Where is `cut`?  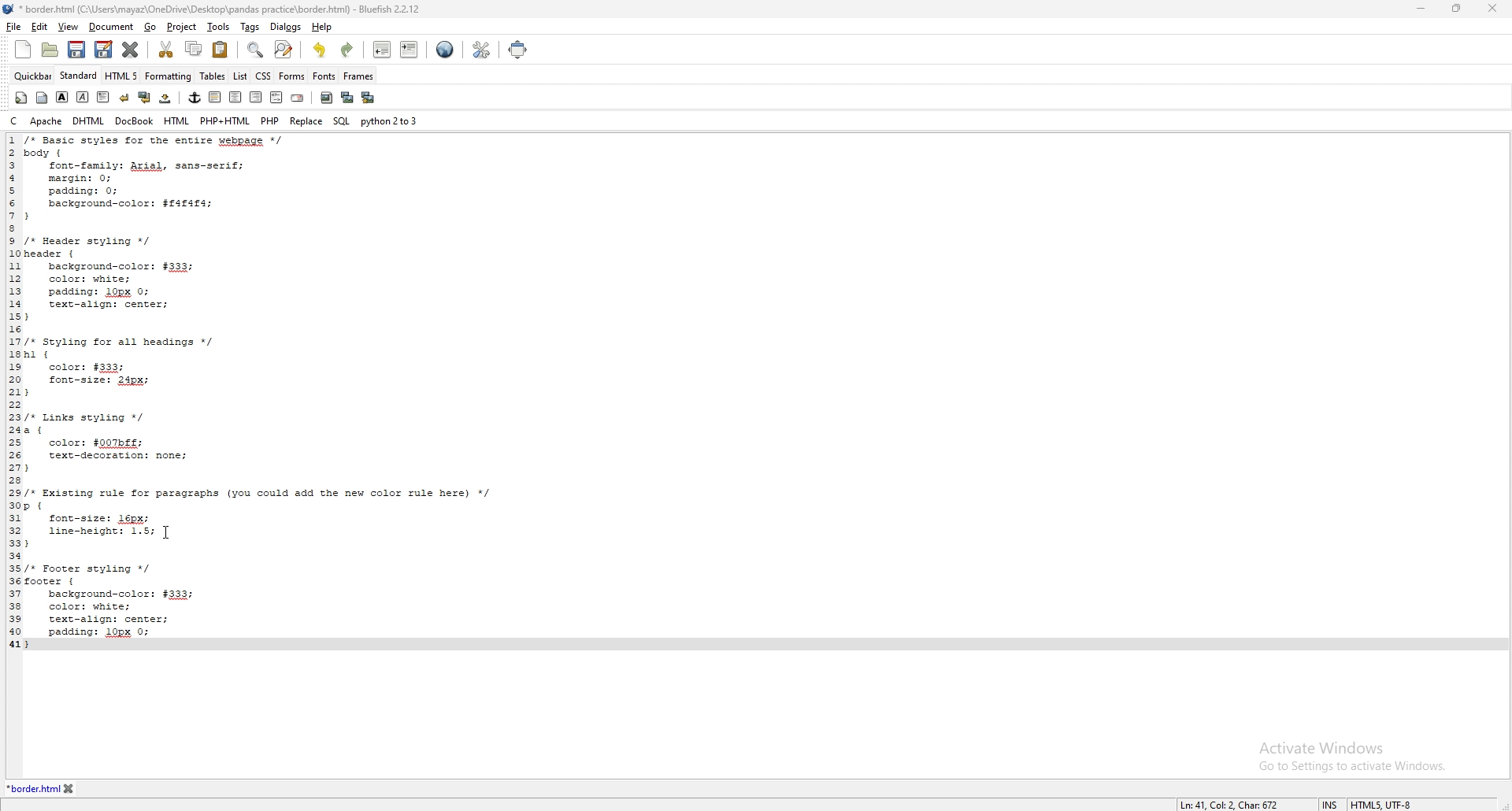 cut is located at coordinates (168, 50).